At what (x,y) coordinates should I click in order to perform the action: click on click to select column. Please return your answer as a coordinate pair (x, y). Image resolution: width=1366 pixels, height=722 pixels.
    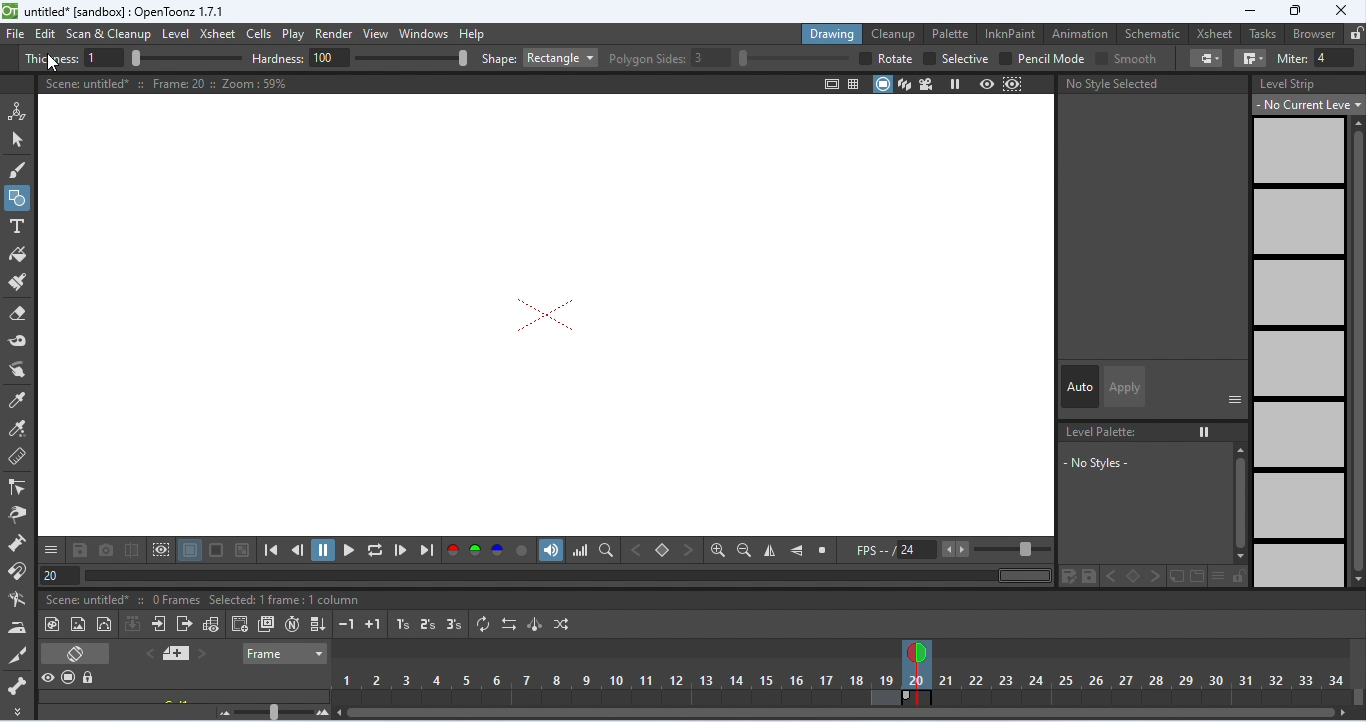
    Looking at the image, I should click on (243, 697).